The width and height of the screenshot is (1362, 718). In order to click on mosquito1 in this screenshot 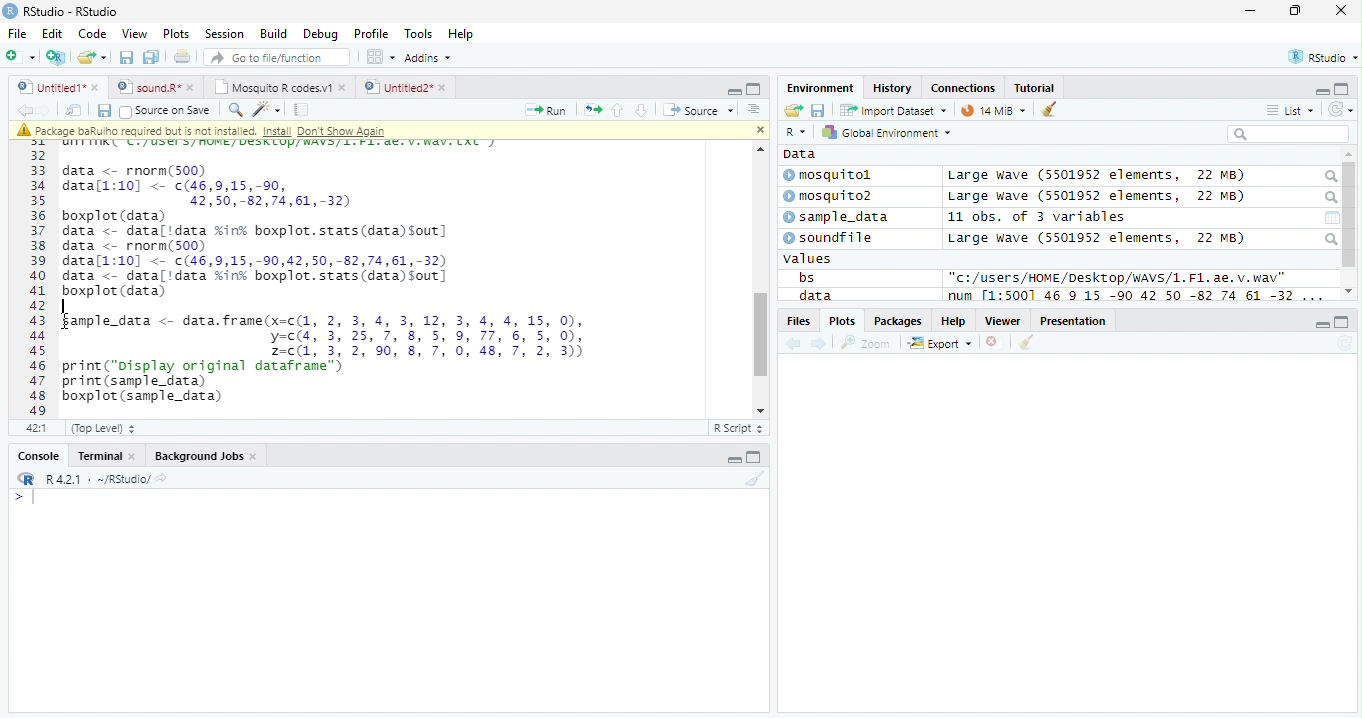, I will do `click(831, 176)`.